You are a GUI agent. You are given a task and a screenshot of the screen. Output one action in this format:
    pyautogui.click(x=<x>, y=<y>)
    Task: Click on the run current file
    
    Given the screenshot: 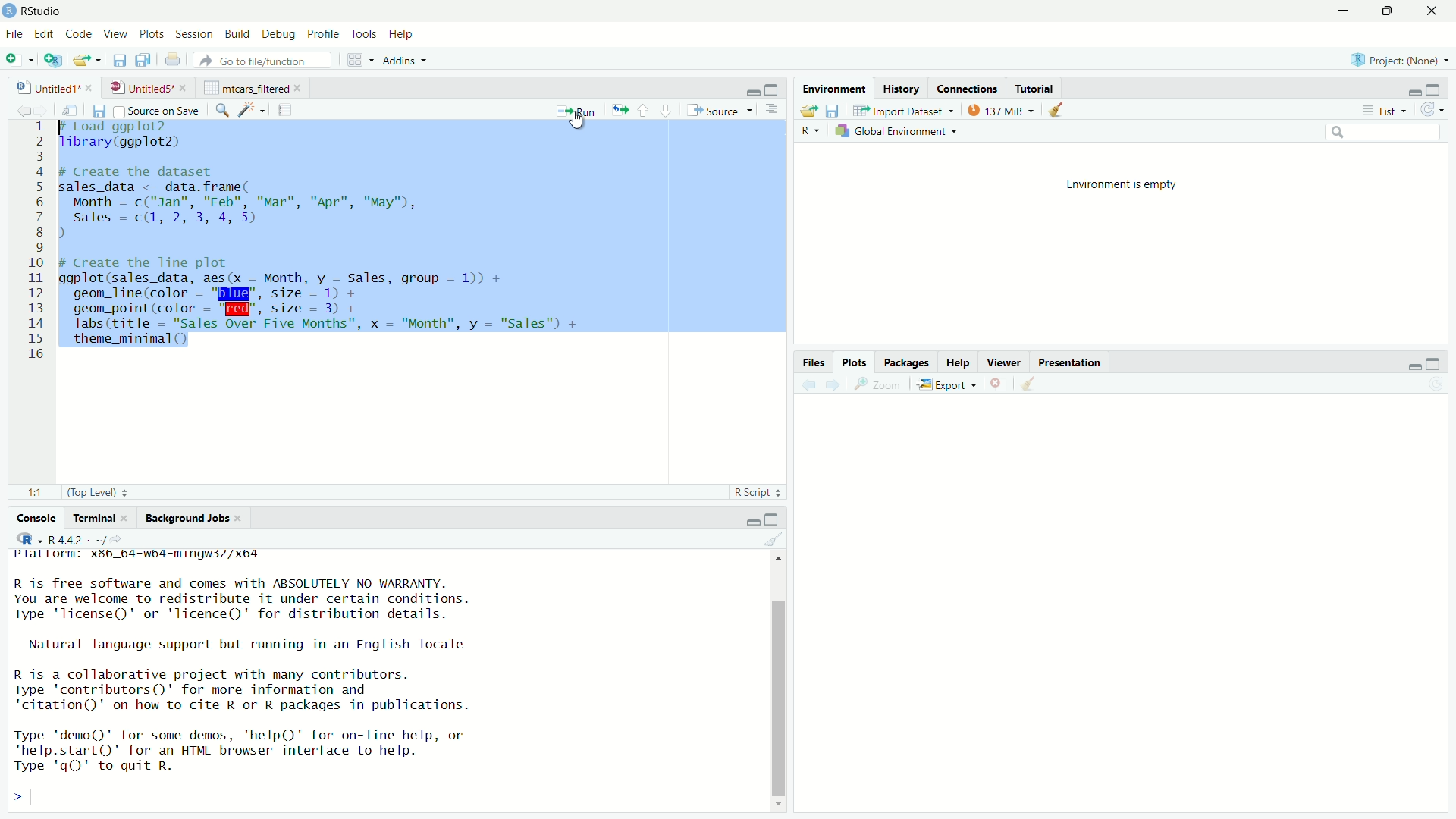 What is the action you would take?
    pyautogui.click(x=577, y=111)
    